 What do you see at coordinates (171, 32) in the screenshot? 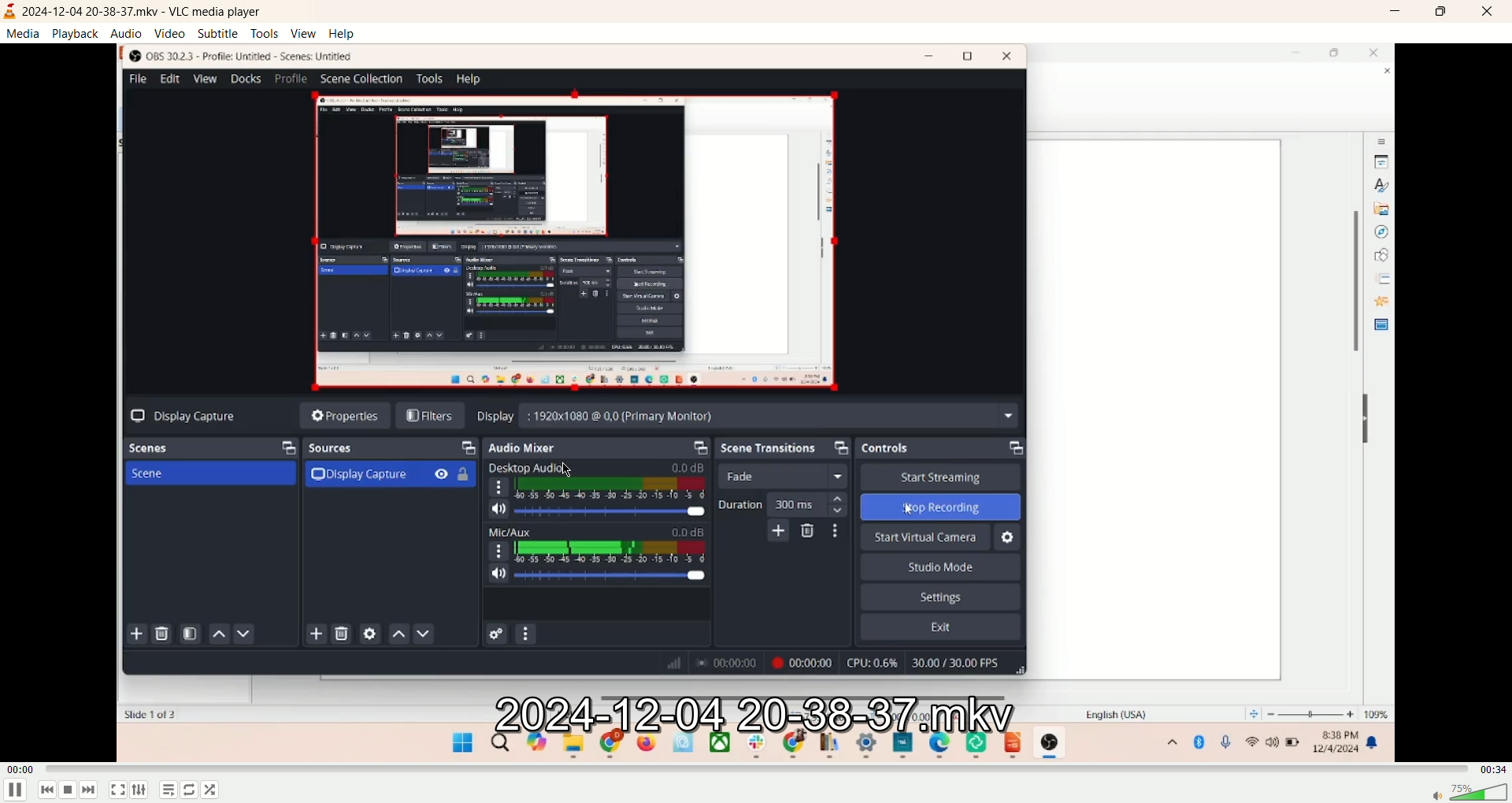
I see `video` at bounding box center [171, 32].